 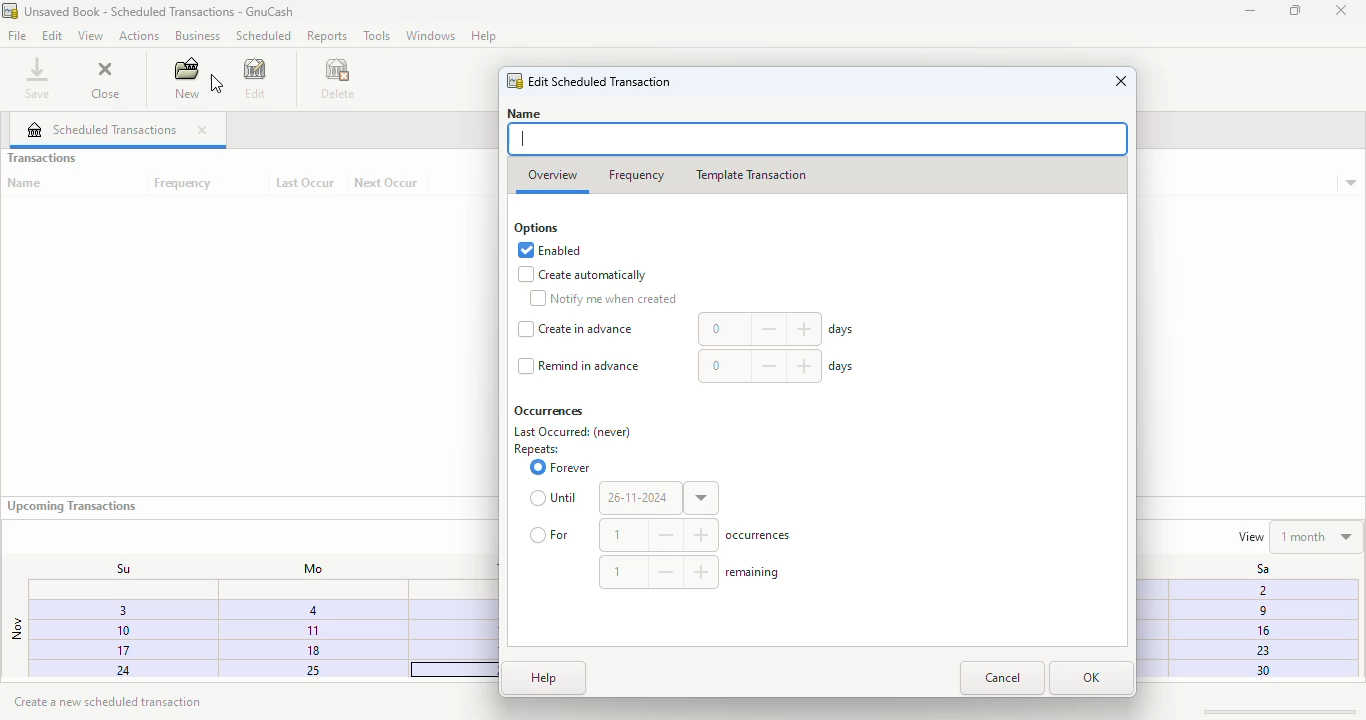 I want to click on name, so click(x=524, y=113).